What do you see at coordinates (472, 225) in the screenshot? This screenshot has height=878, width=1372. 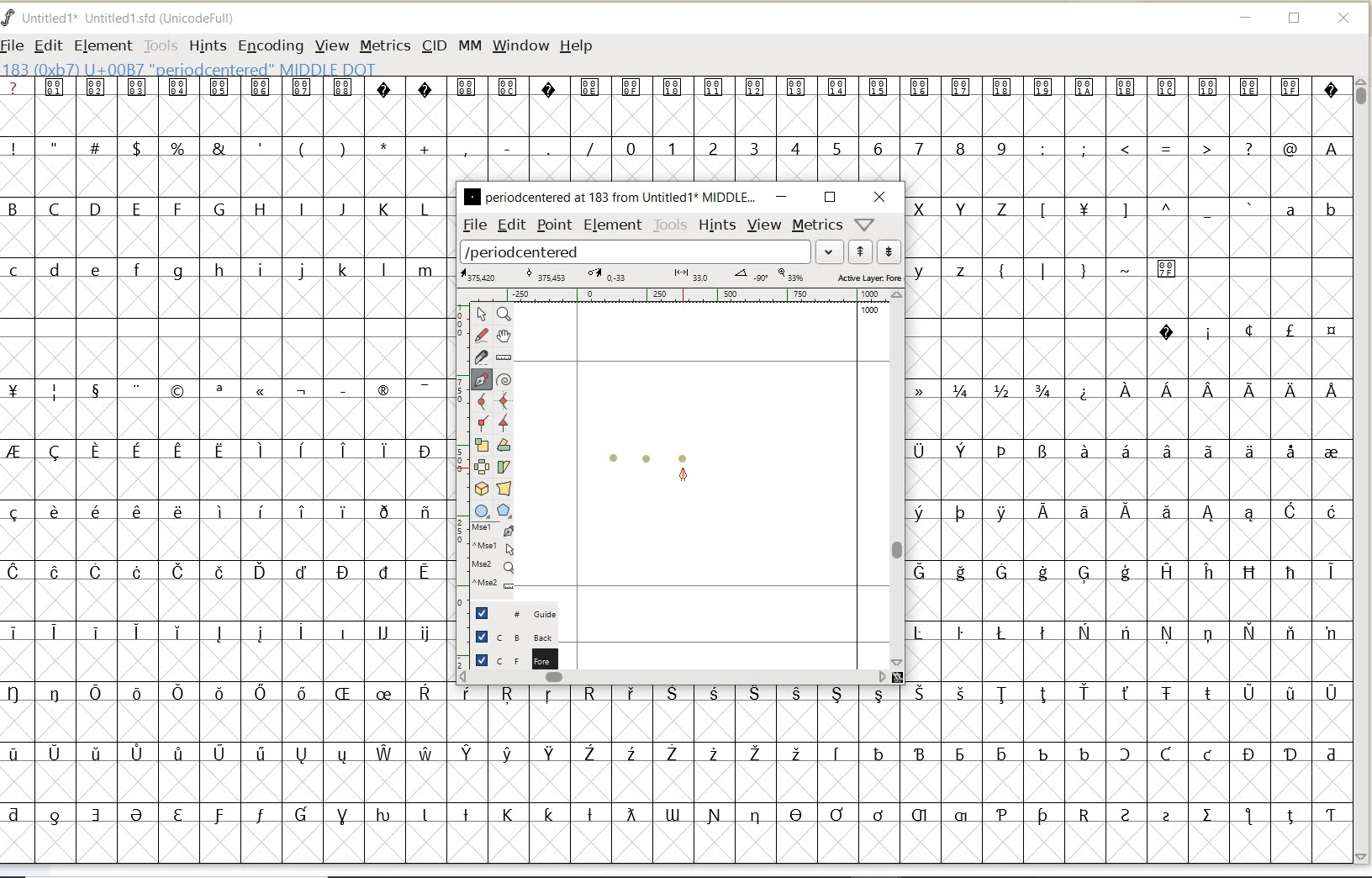 I see `file` at bounding box center [472, 225].